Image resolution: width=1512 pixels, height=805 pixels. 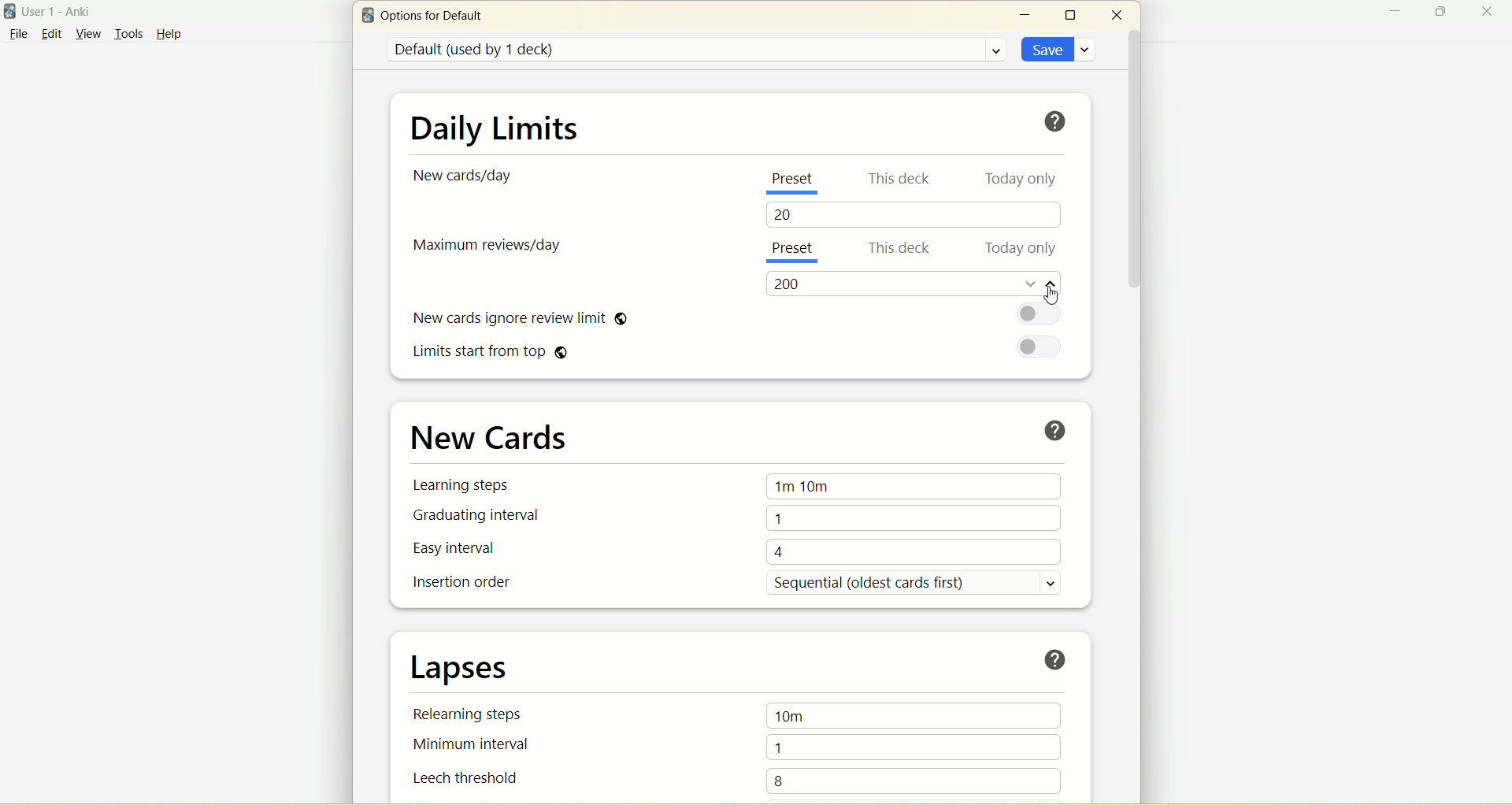 I want to click on relearning steps, so click(x=469, y=712).